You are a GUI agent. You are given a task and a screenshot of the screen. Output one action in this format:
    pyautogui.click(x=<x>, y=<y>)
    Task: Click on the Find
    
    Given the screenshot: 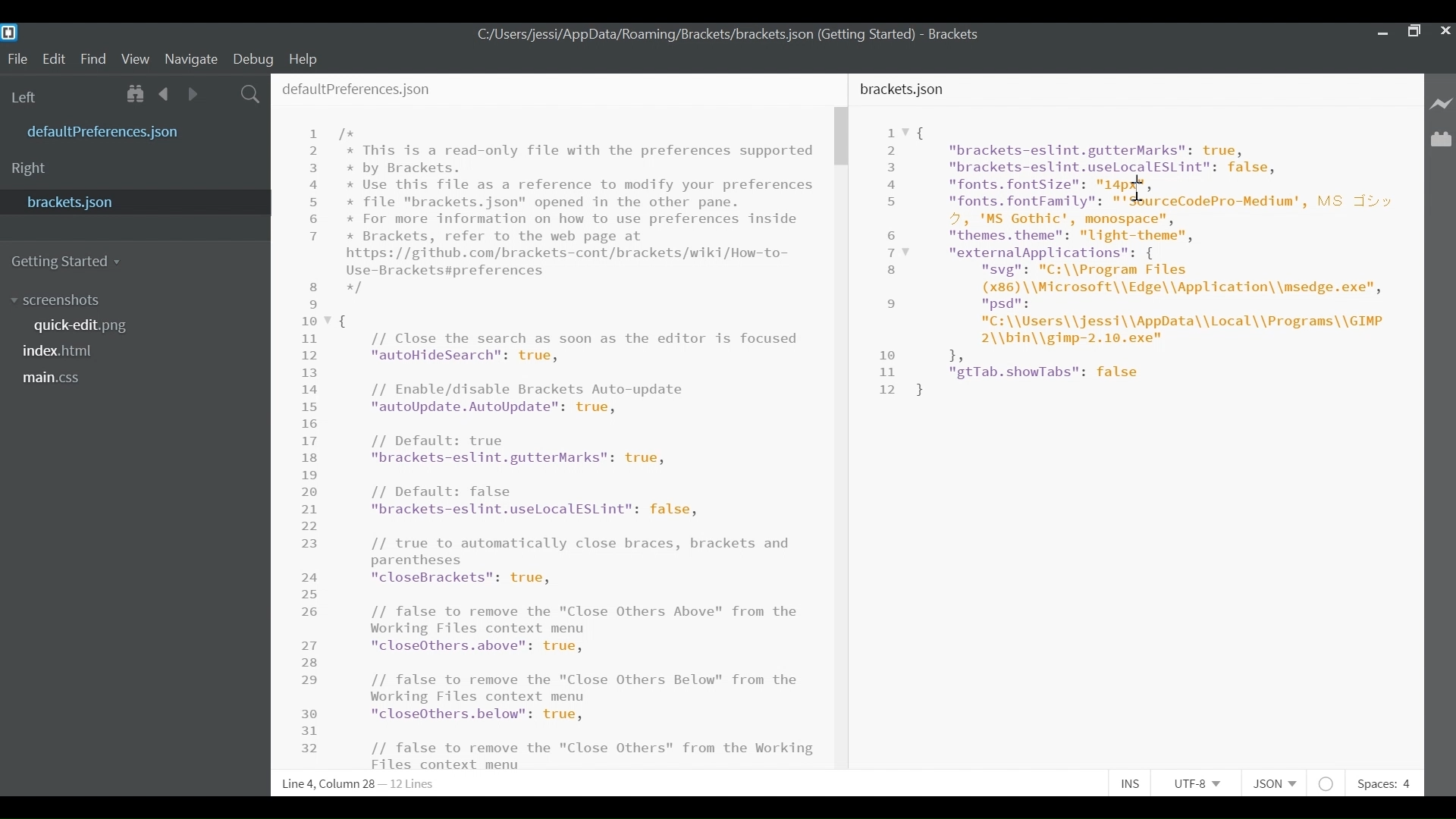 What is the action you would take?
    pyautogui.click(x=96, y=60)
    